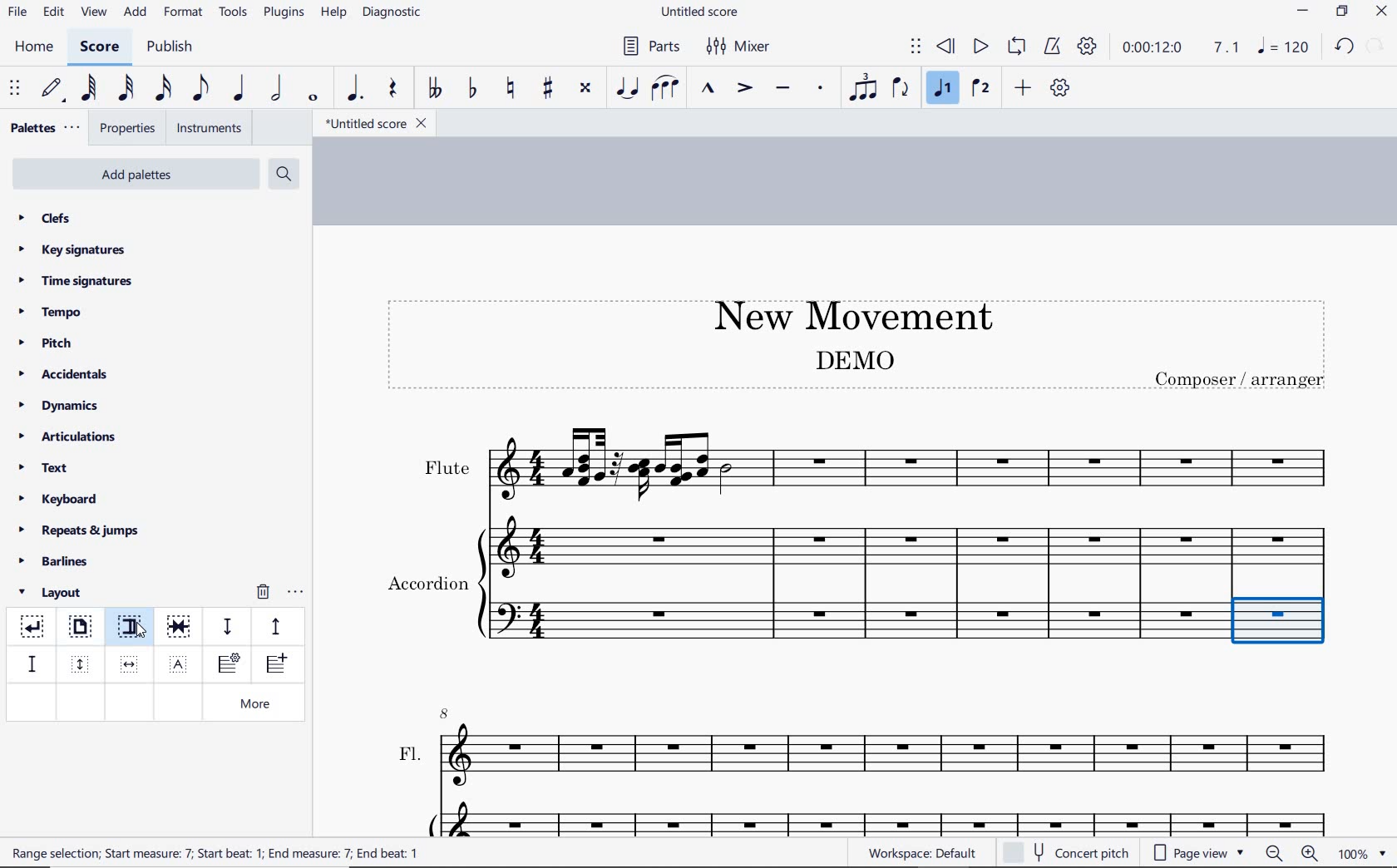 Image resolution: width=1397 pixels, height=868 pixels. I want to click on section break, so click(133, 629).